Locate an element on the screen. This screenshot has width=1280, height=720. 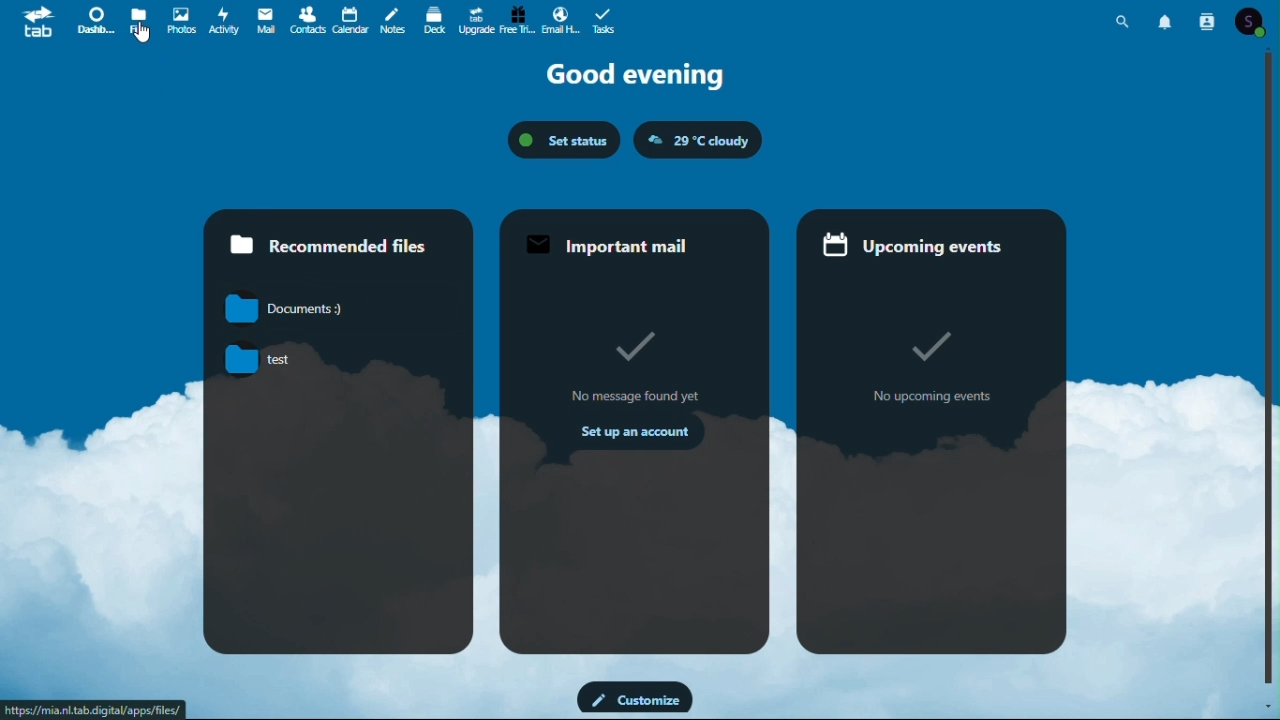
URL is located at coordinates (97, 708).